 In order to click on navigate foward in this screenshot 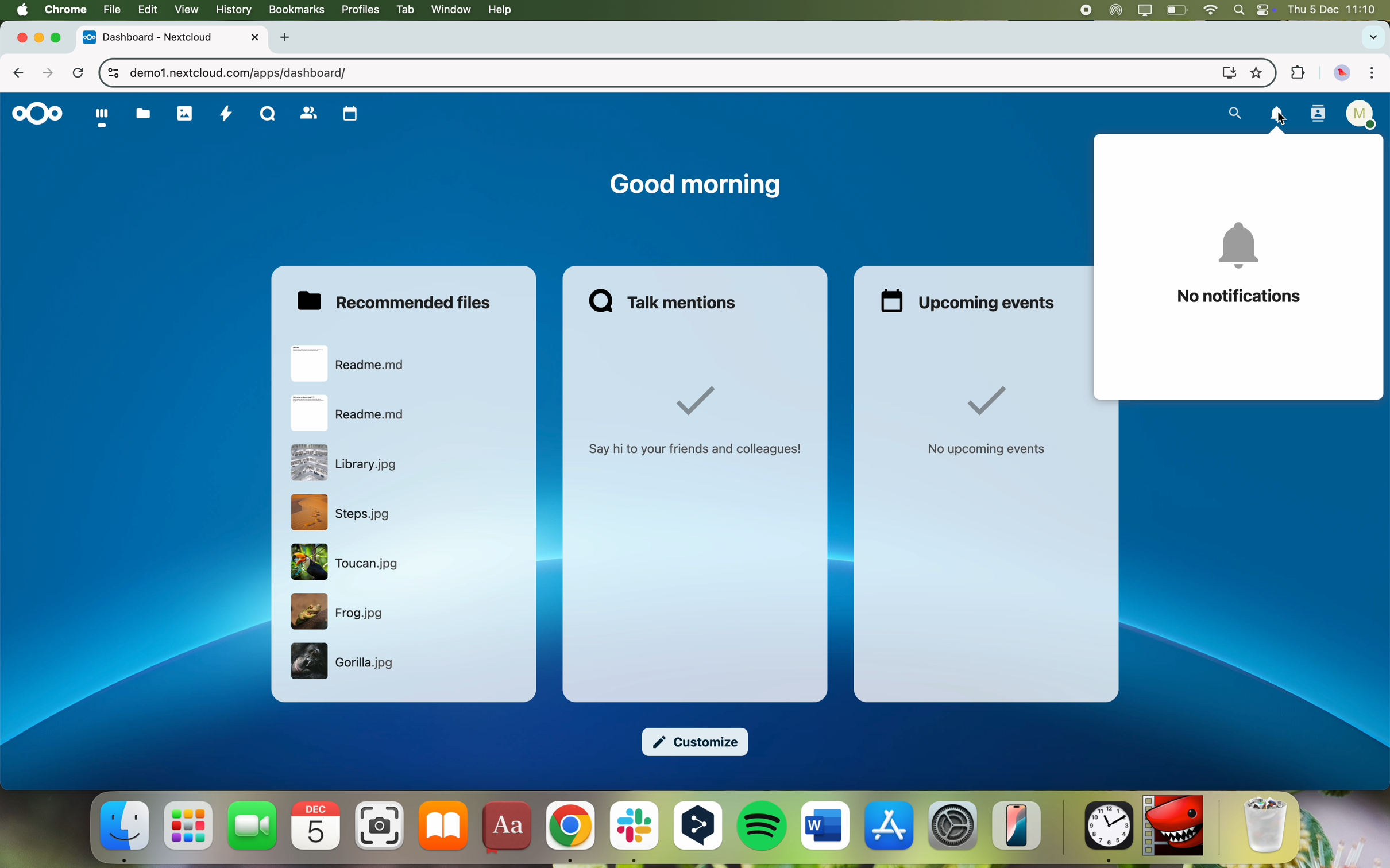, I will do `click(49, 72)`.